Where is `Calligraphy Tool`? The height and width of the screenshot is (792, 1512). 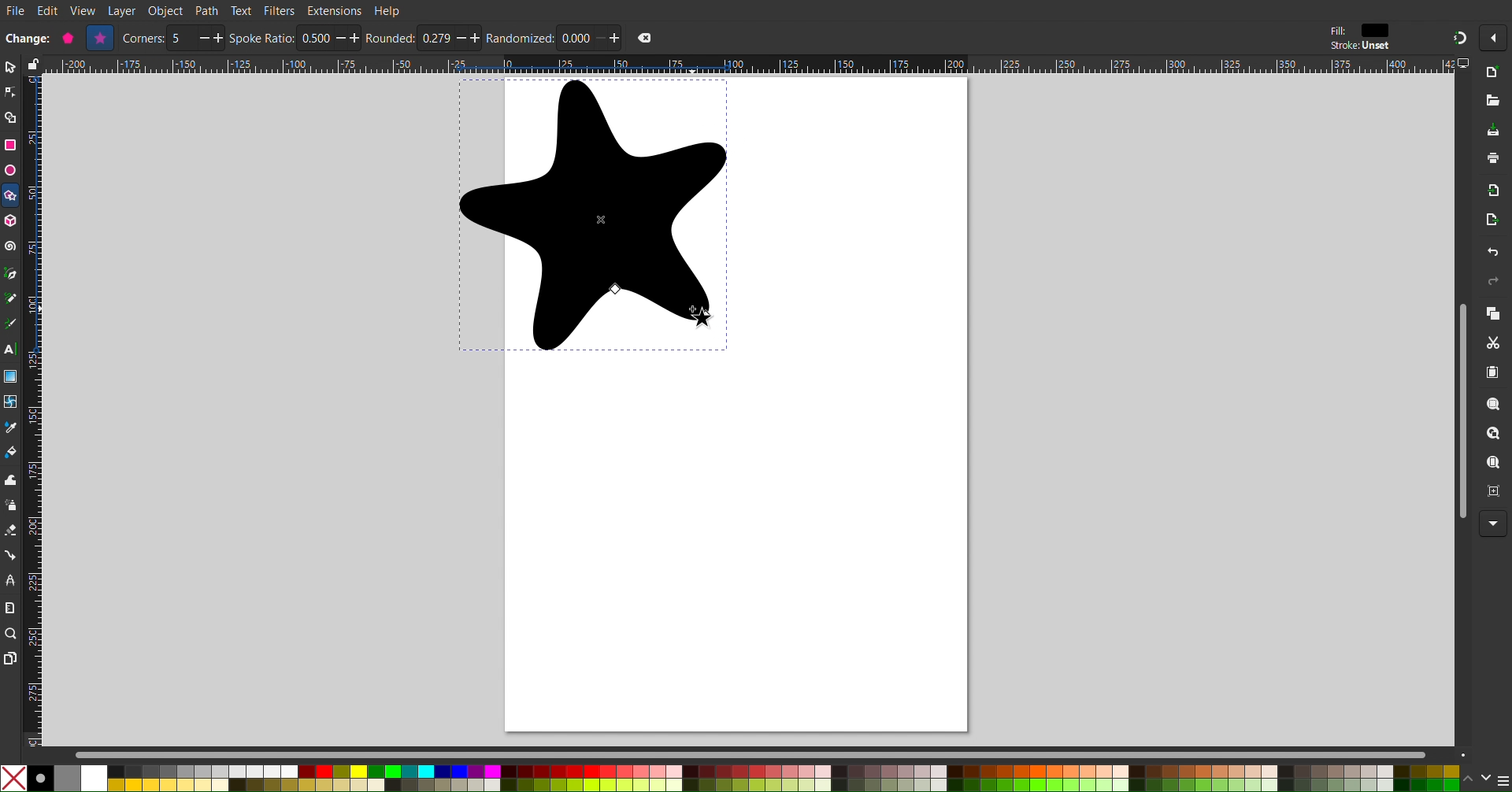
Calligraphy Tool is located at coordinates (9, 324).